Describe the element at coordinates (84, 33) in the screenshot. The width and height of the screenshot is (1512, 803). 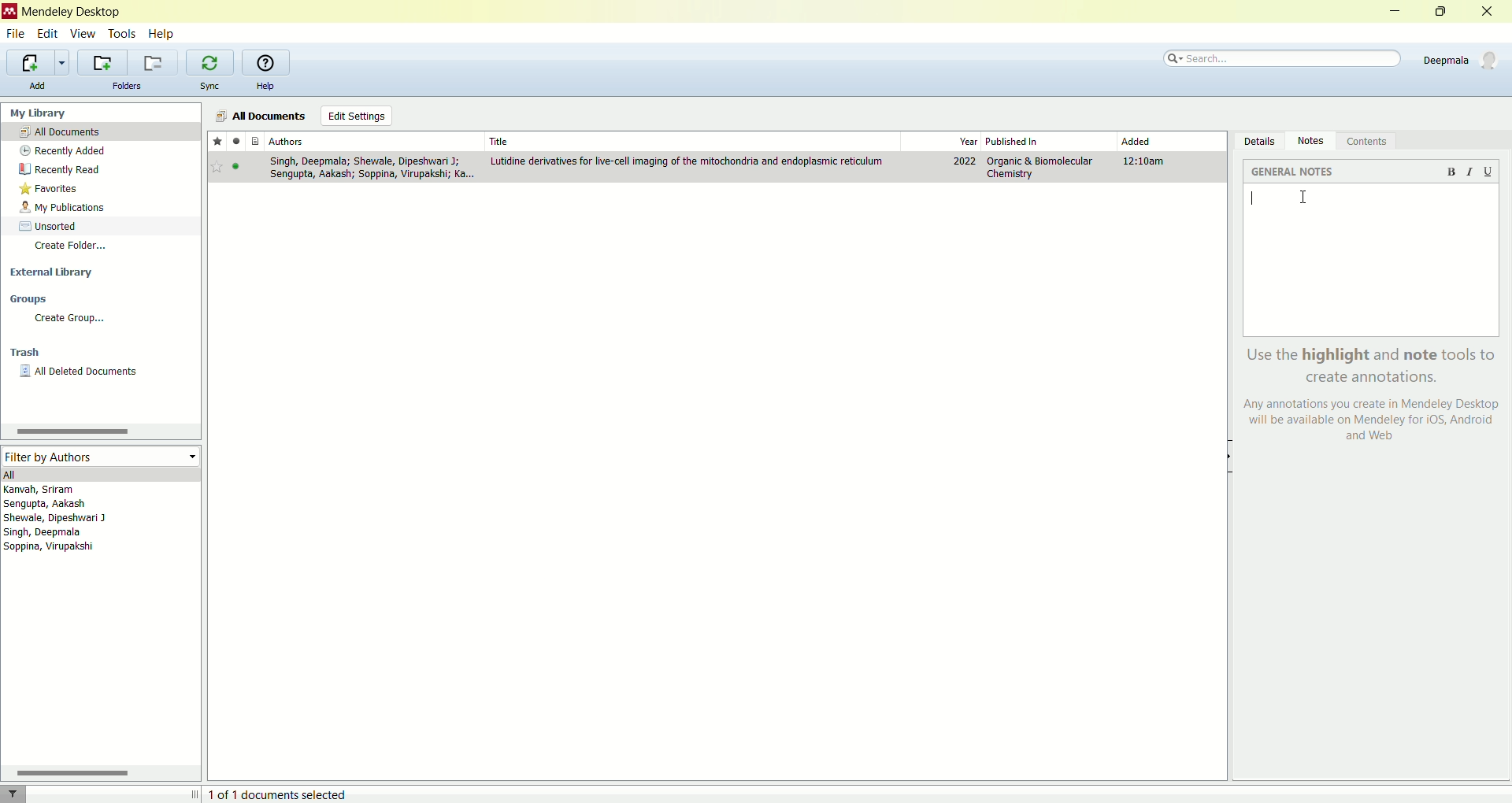
I see `view` at that location.